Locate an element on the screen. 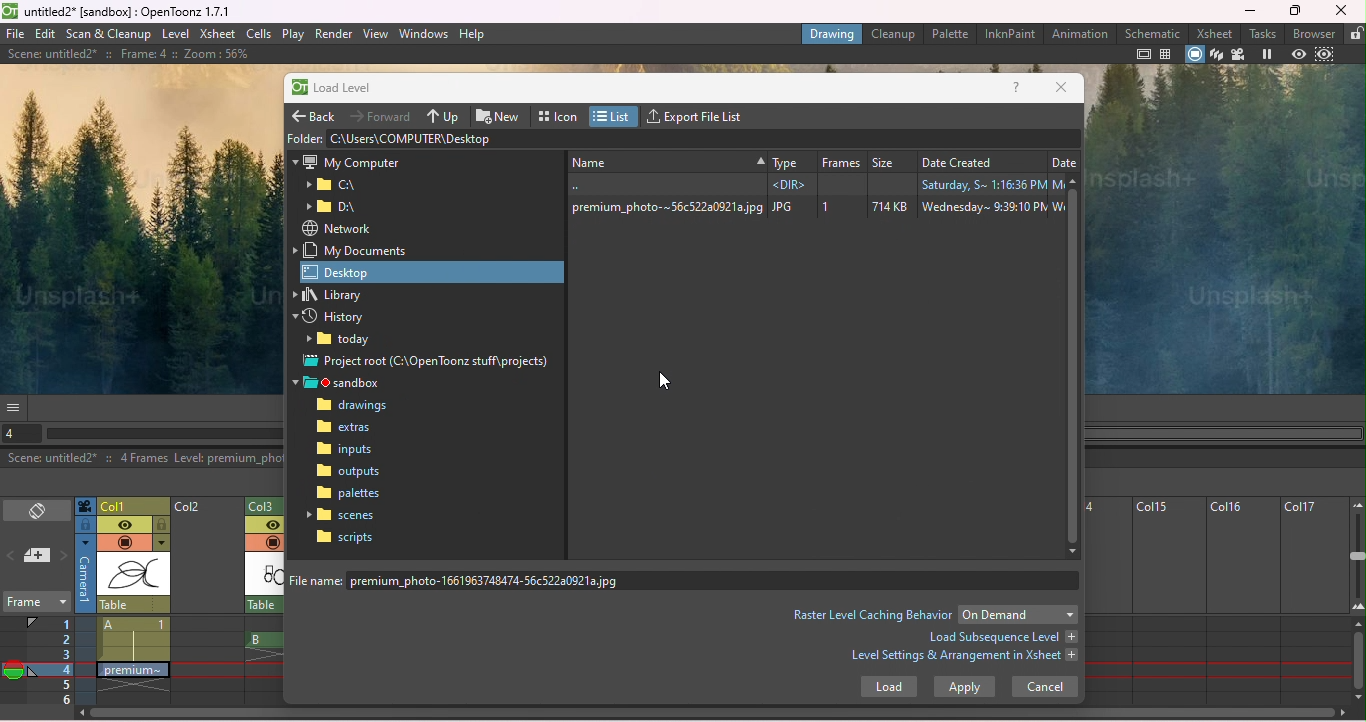  apply is located at coordinates (964, 687).